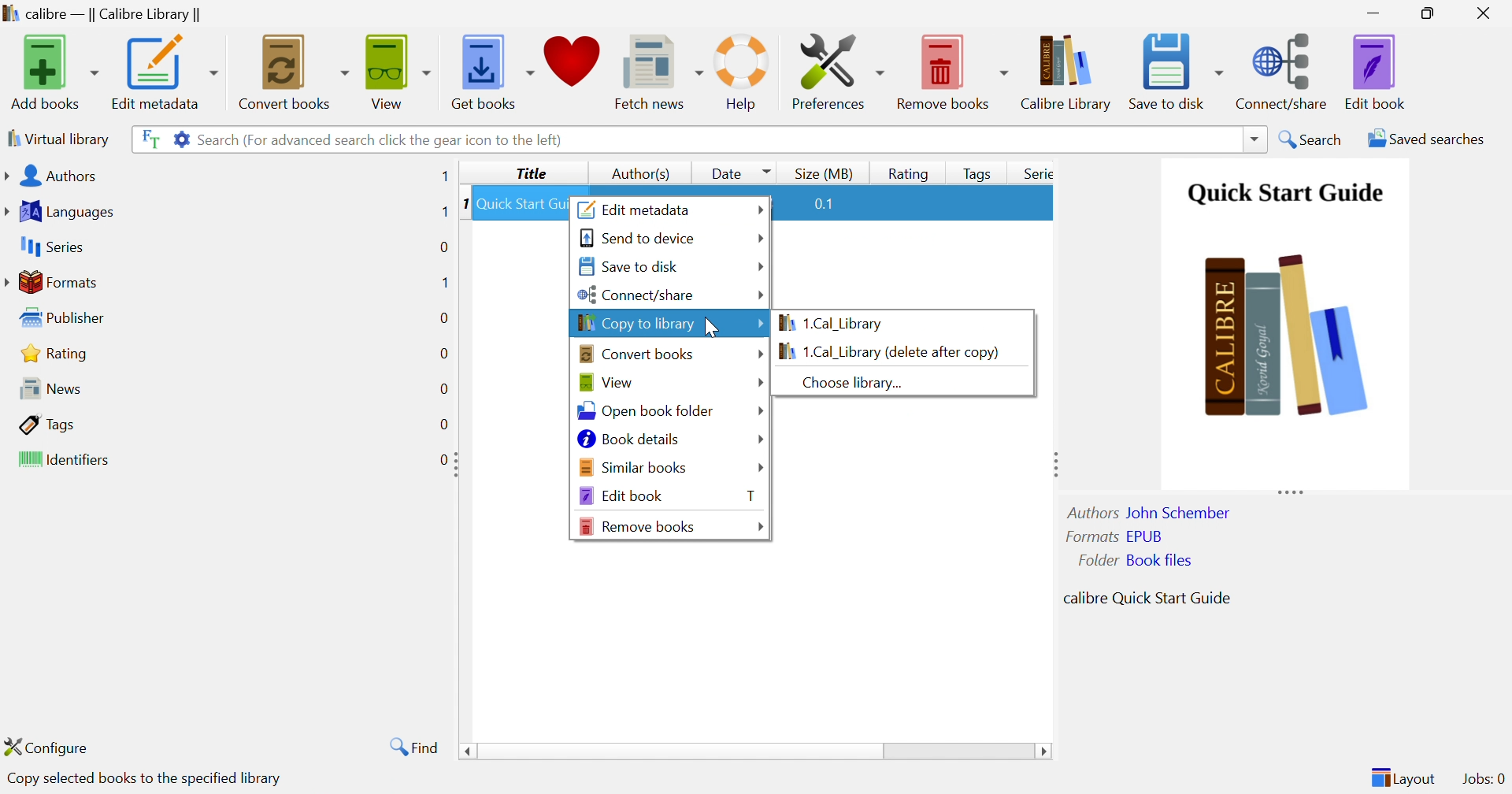 The image size is (1512, 794). What do you see at coordinates (759, 437) in the screenshot?
I see `Drop Down` at bounding box center [759, 437].